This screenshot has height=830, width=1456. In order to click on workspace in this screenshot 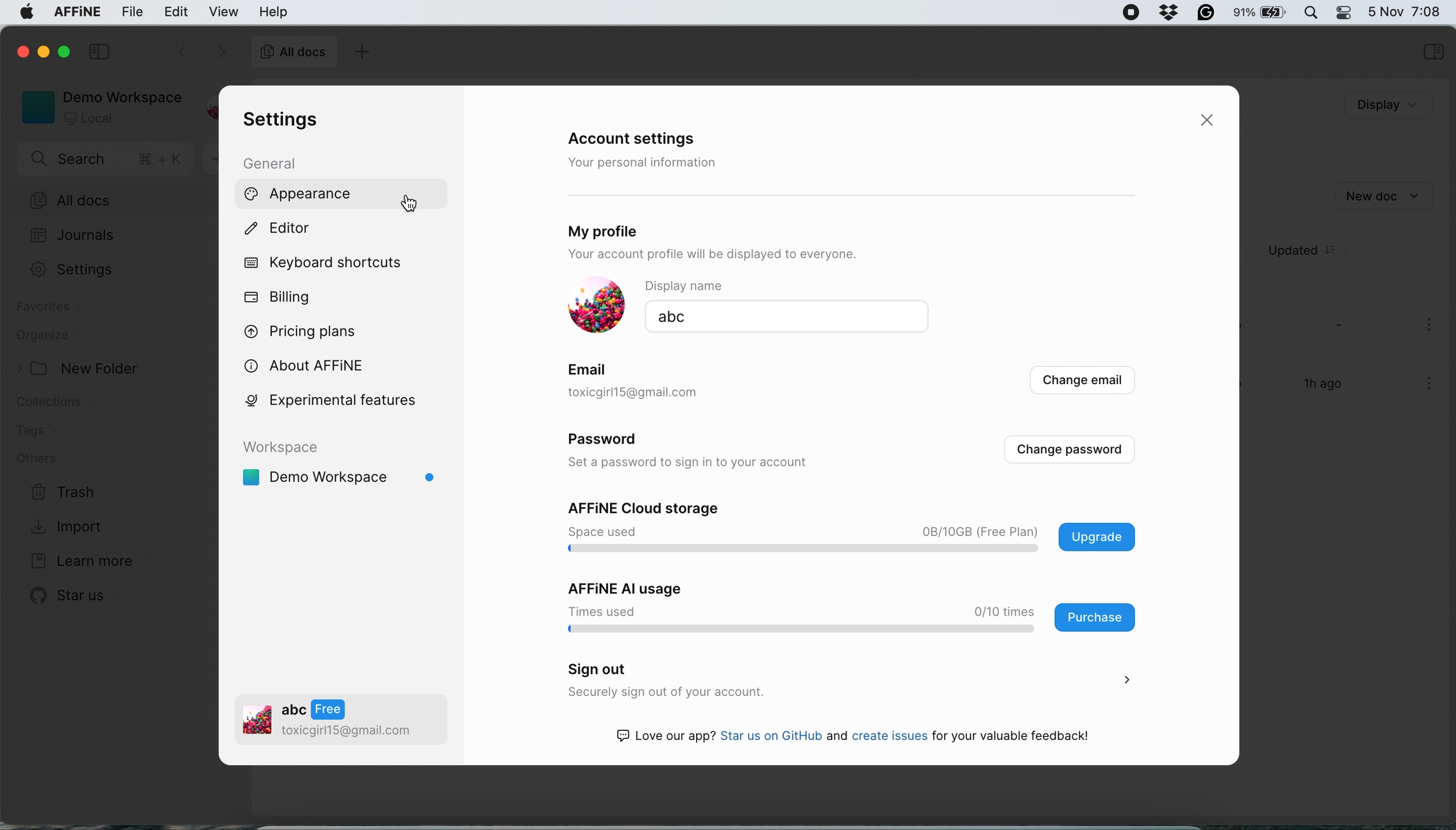, I will do `click(100, 107)`.